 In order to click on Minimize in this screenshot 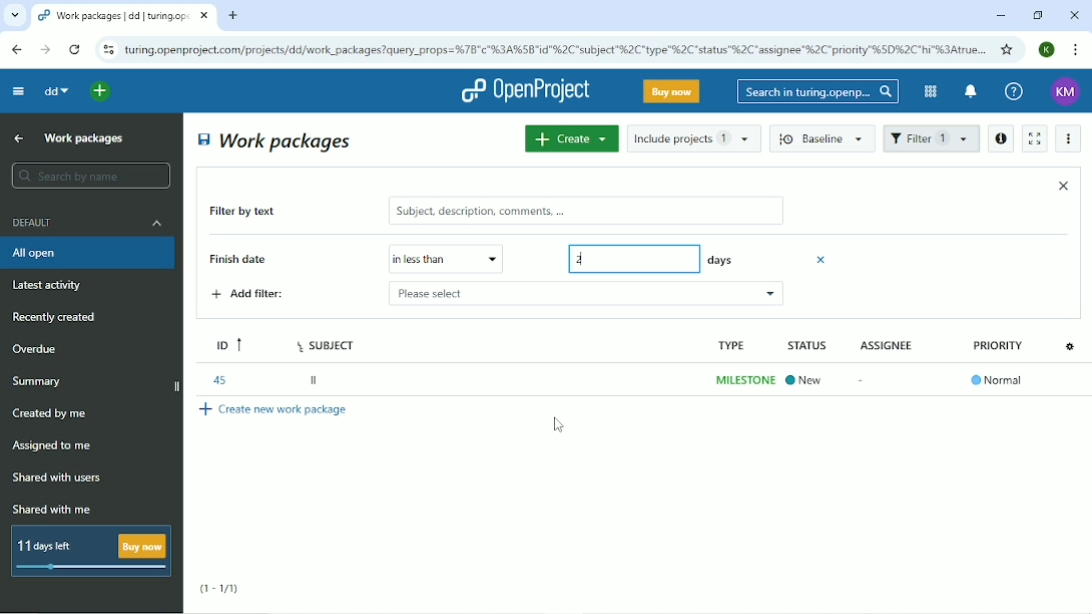, I will do `click(1000, 16)`.